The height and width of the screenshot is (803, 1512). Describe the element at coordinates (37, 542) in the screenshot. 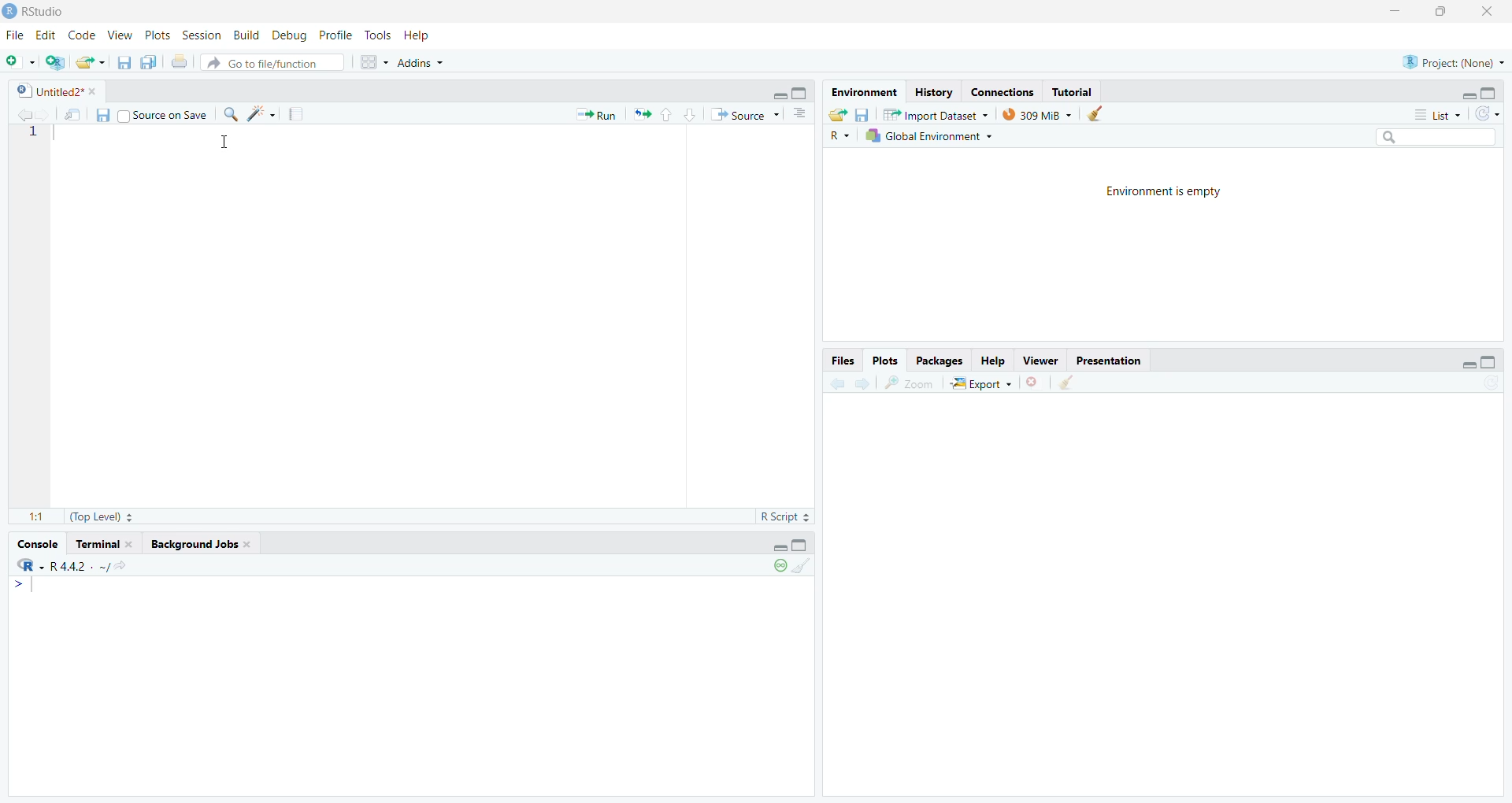

I see `‘Console` at that location.